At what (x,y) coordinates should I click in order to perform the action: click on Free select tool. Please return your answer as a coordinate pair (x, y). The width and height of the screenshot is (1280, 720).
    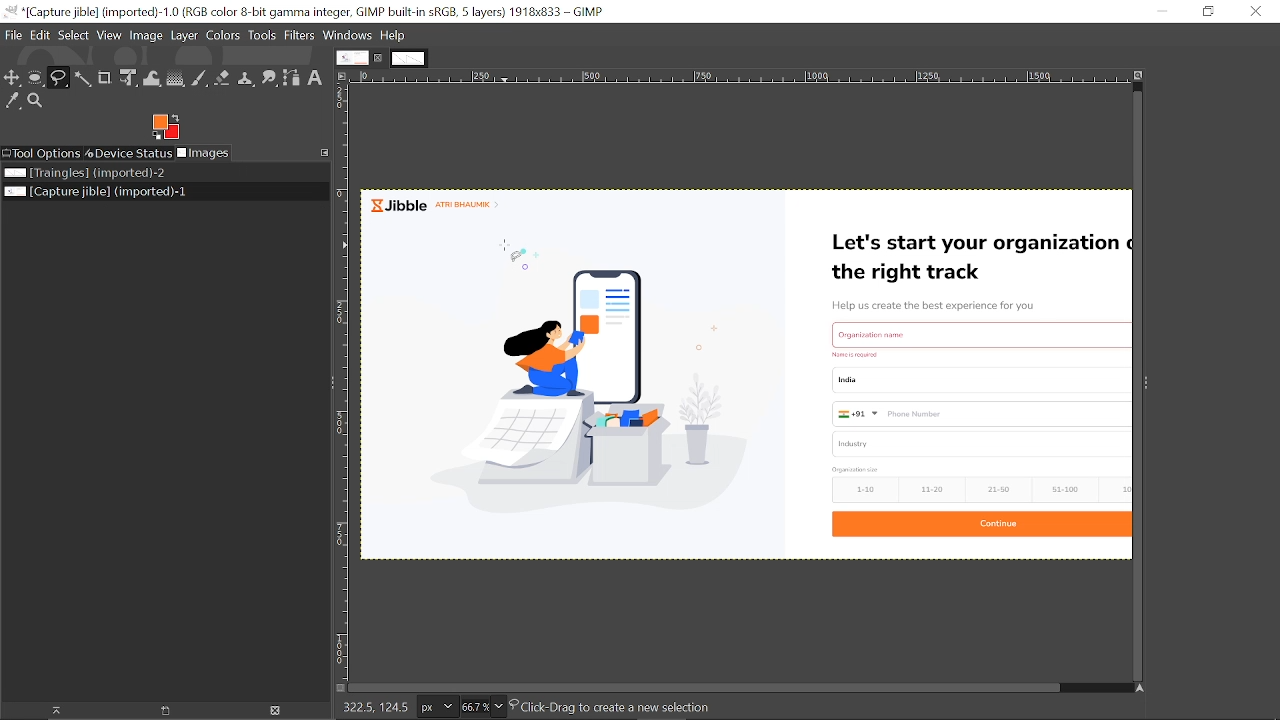
    Looking at the image, I should click on (60, 79).